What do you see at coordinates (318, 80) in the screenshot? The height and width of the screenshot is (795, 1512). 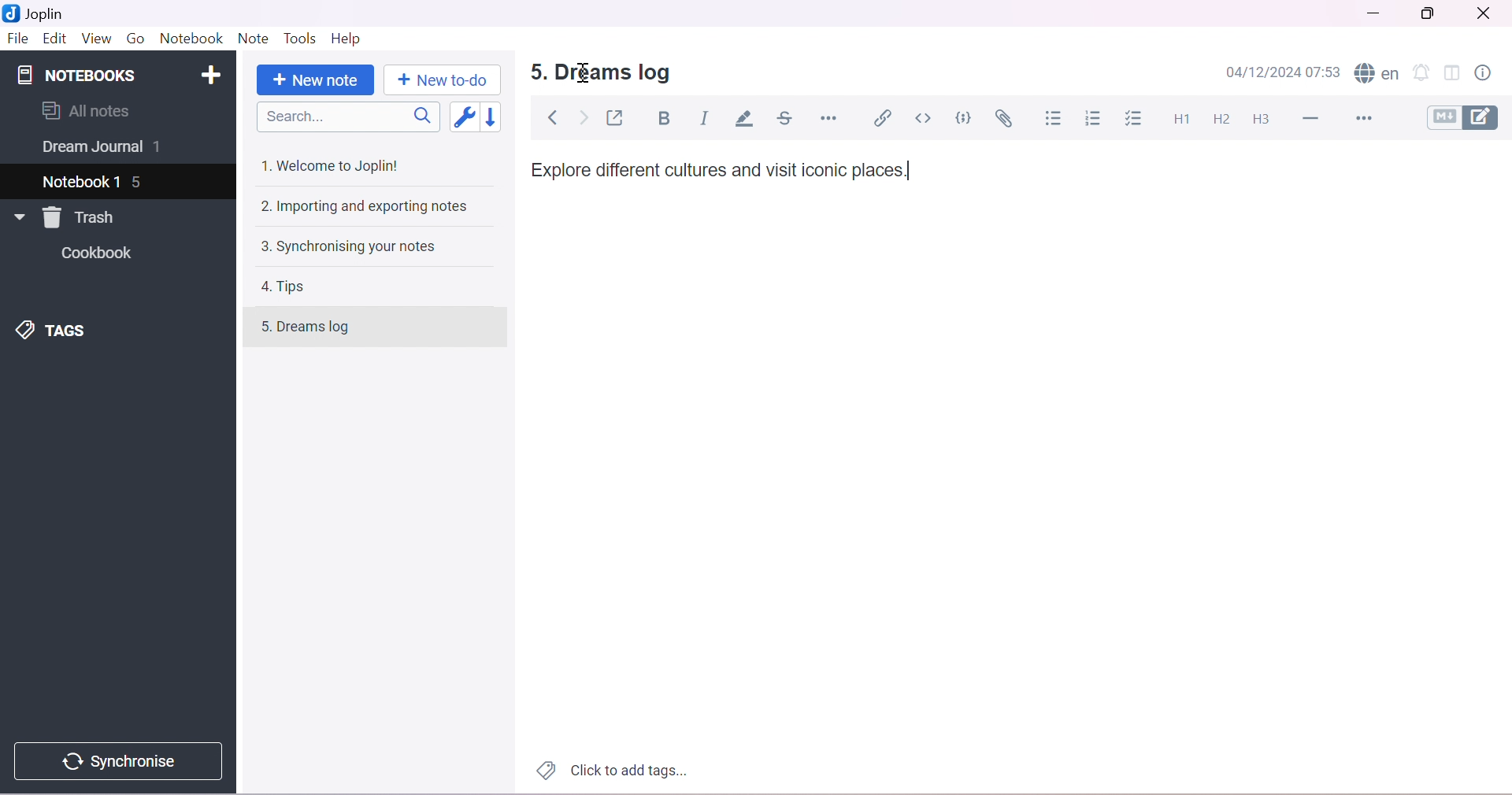 I see `New note` at bounding box center [318, 80].